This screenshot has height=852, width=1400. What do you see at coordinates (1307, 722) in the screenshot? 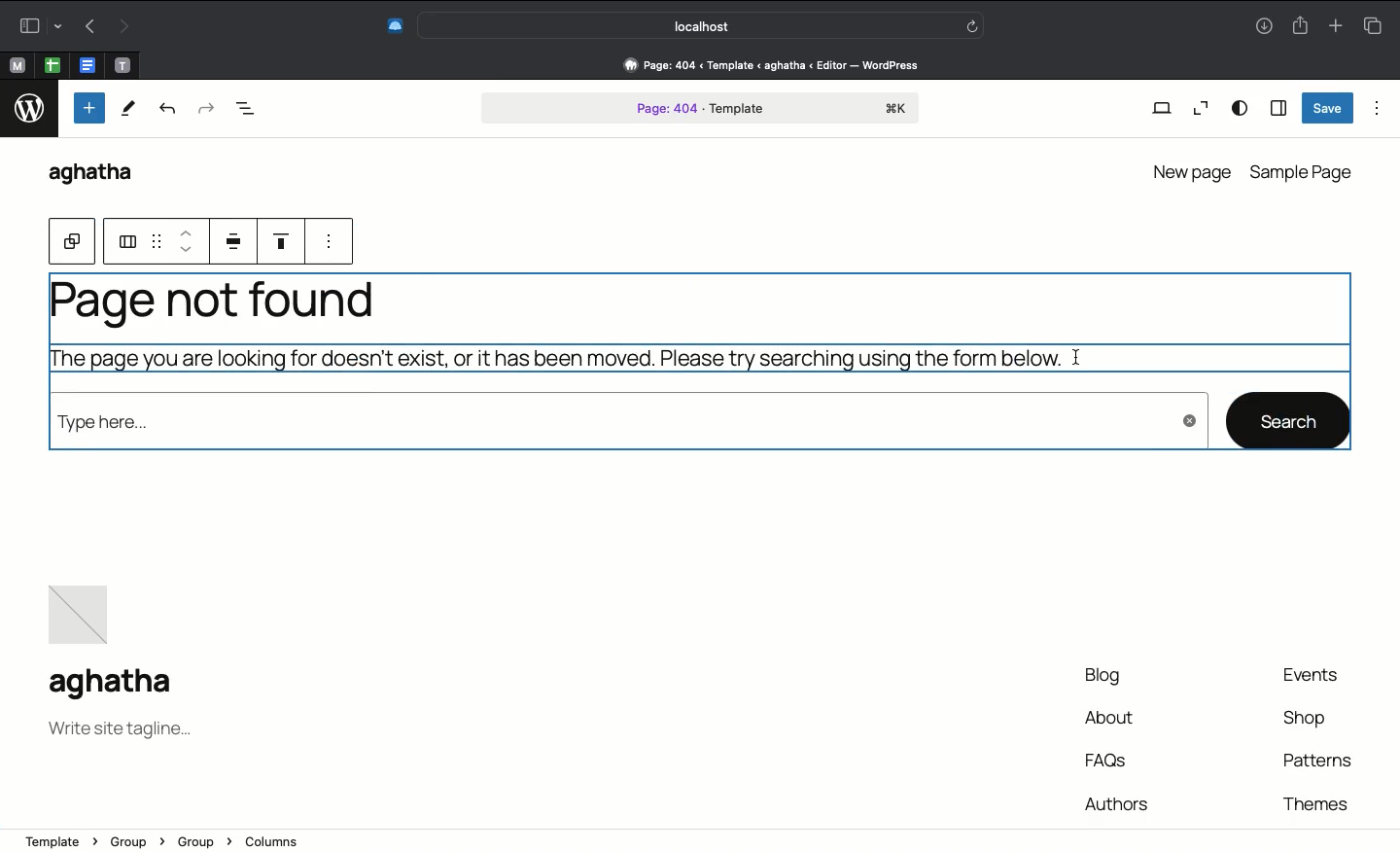
I see `Shop` at bounding box center [1307, 722].